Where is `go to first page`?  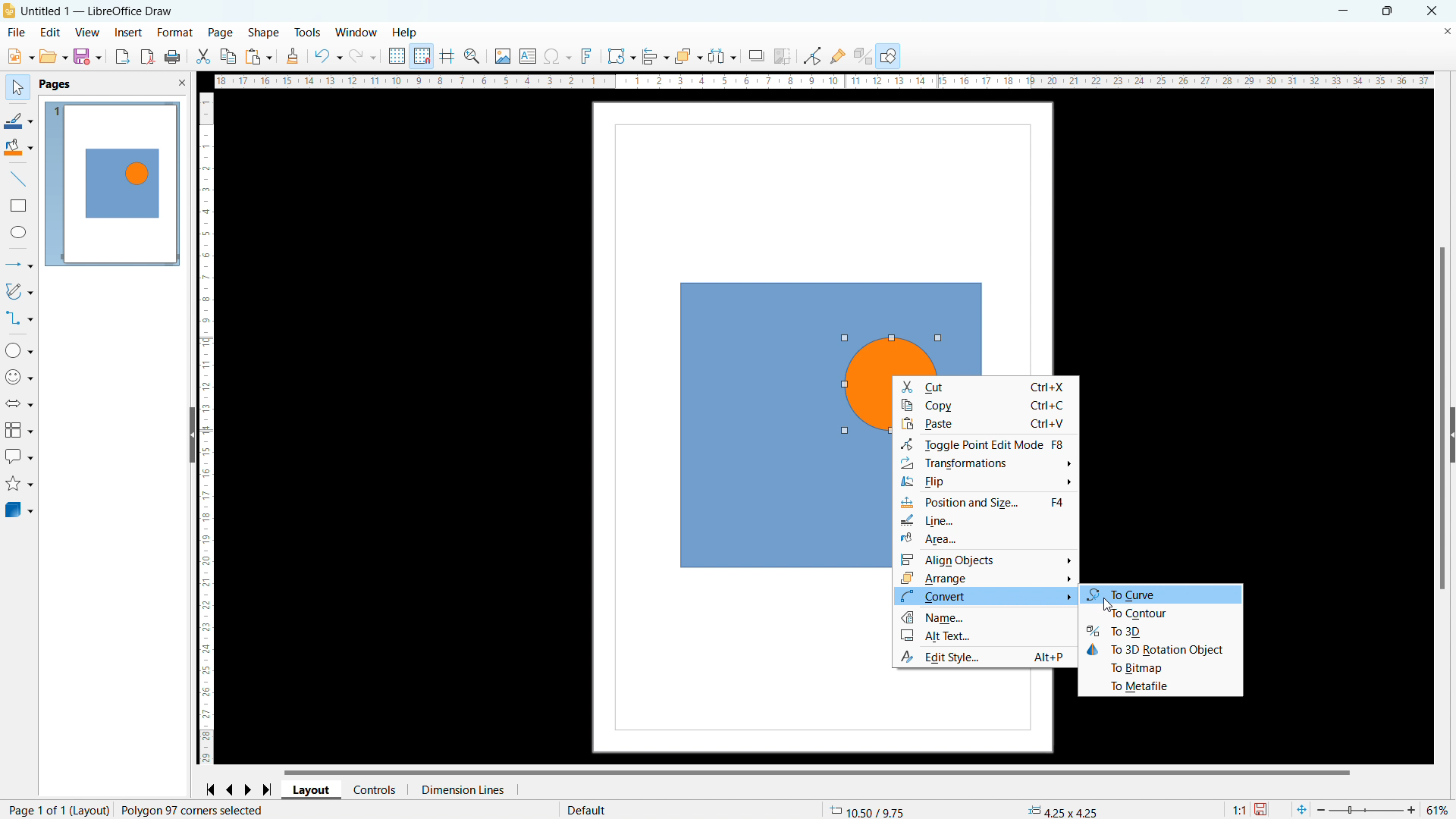 go to first page is located at coordinates (210, 789).